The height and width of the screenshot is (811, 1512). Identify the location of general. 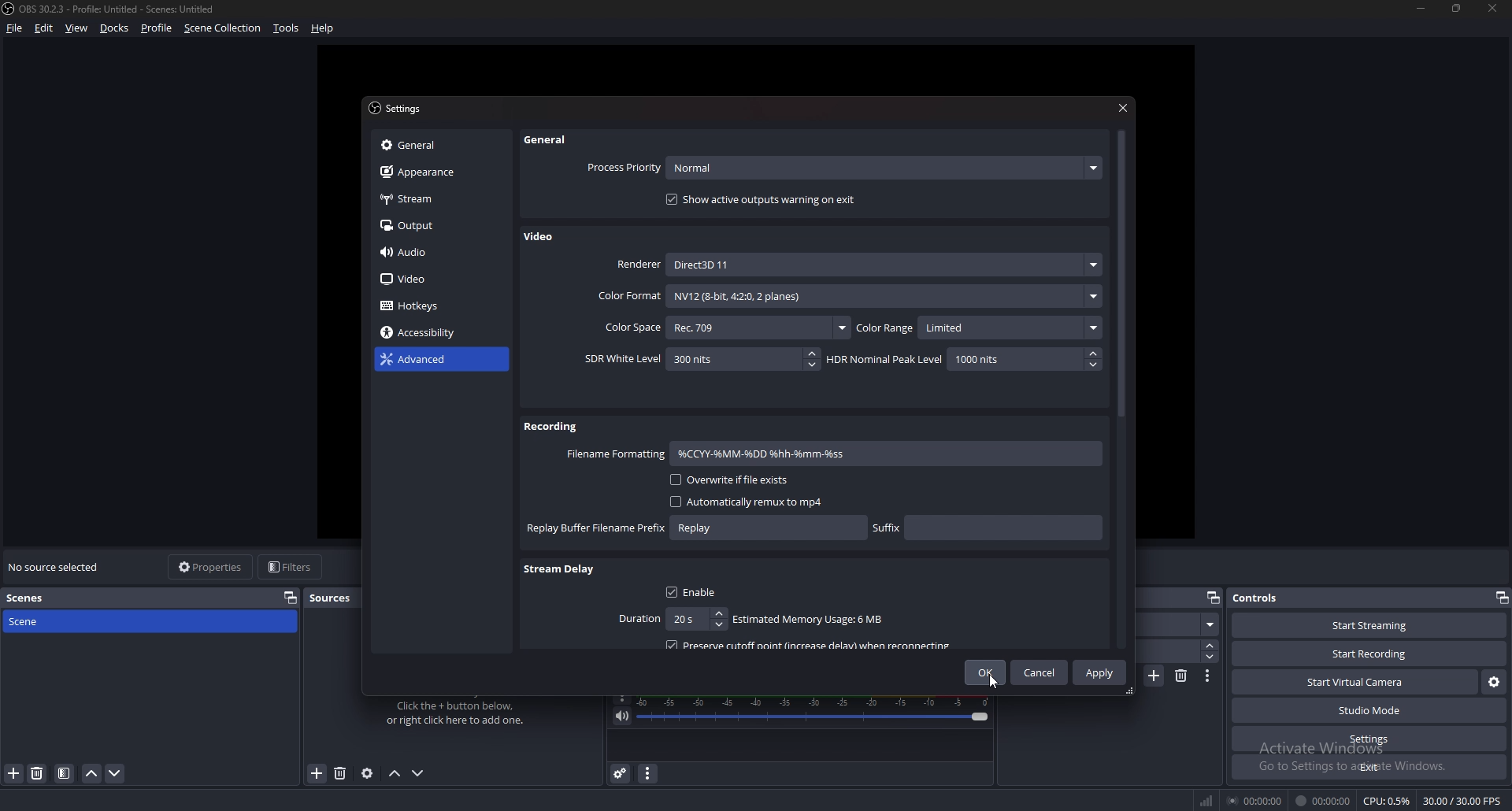
(434, 145).